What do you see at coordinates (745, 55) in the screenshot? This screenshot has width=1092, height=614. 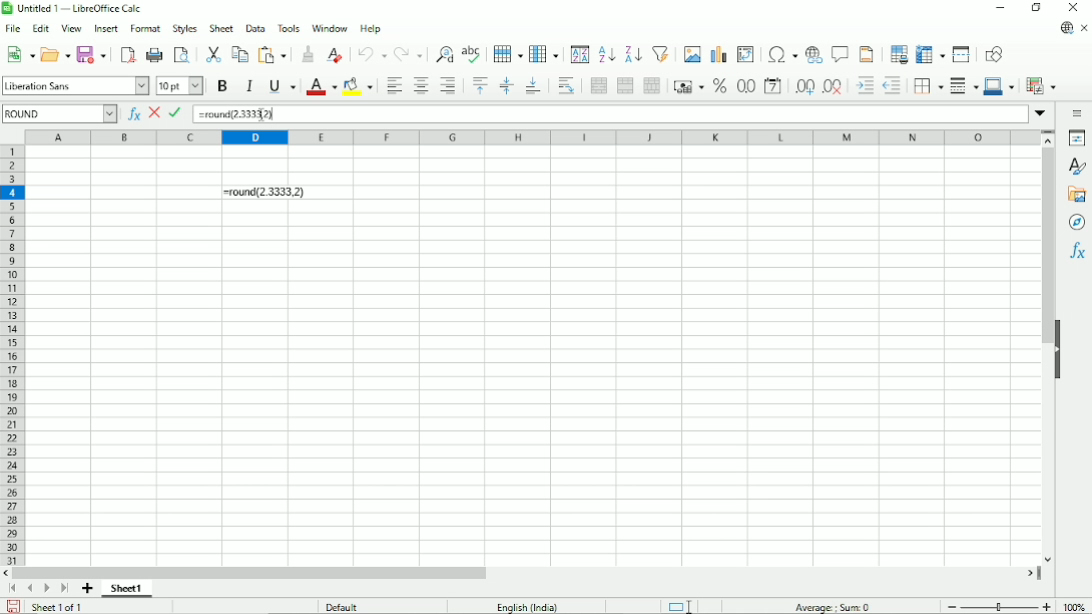 I see `Insert or edit pivot table` at bounding box center [745, 55].